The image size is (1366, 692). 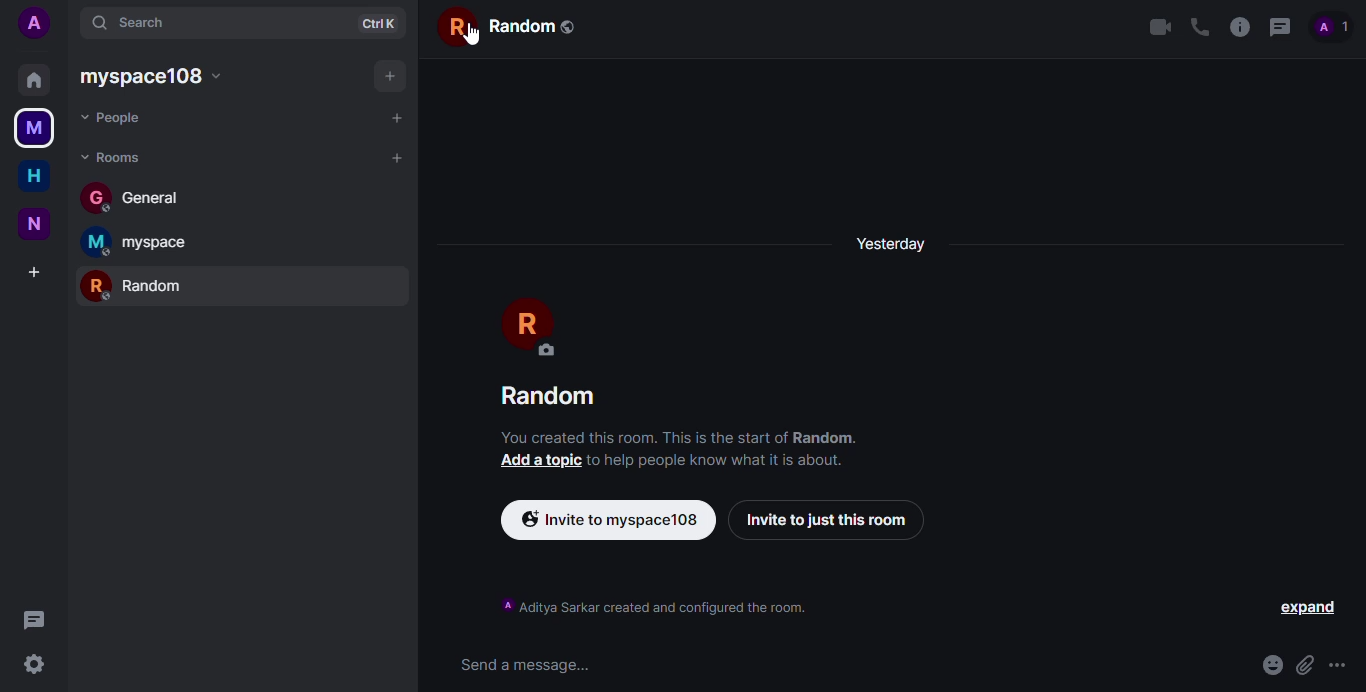 I want to click on invite via link, so click(x=611, y=520).